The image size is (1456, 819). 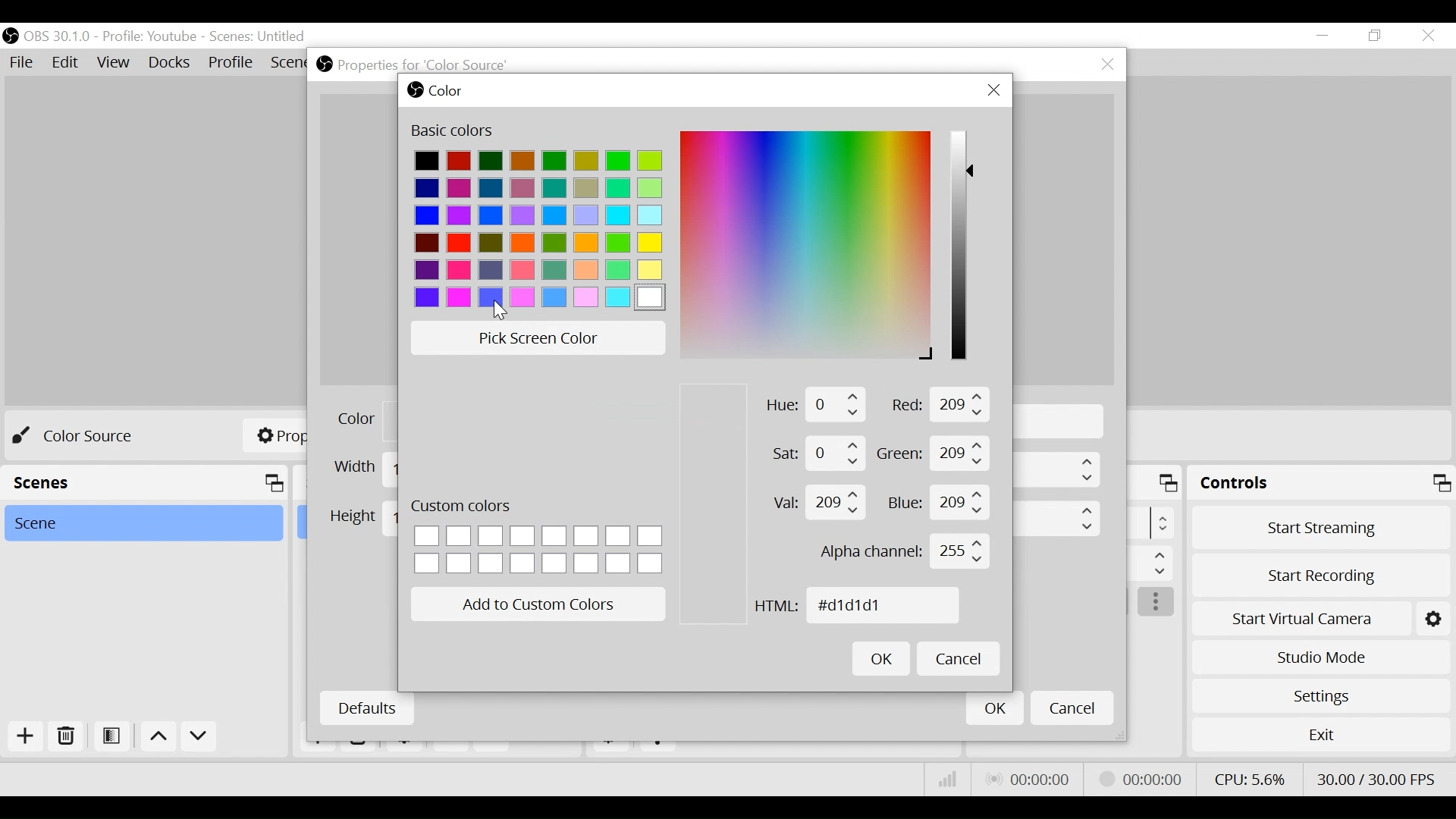 What do you see at coordinates (58, 36) in the screenshot?
I see `OBS Version` at bounding box center [58, 36].